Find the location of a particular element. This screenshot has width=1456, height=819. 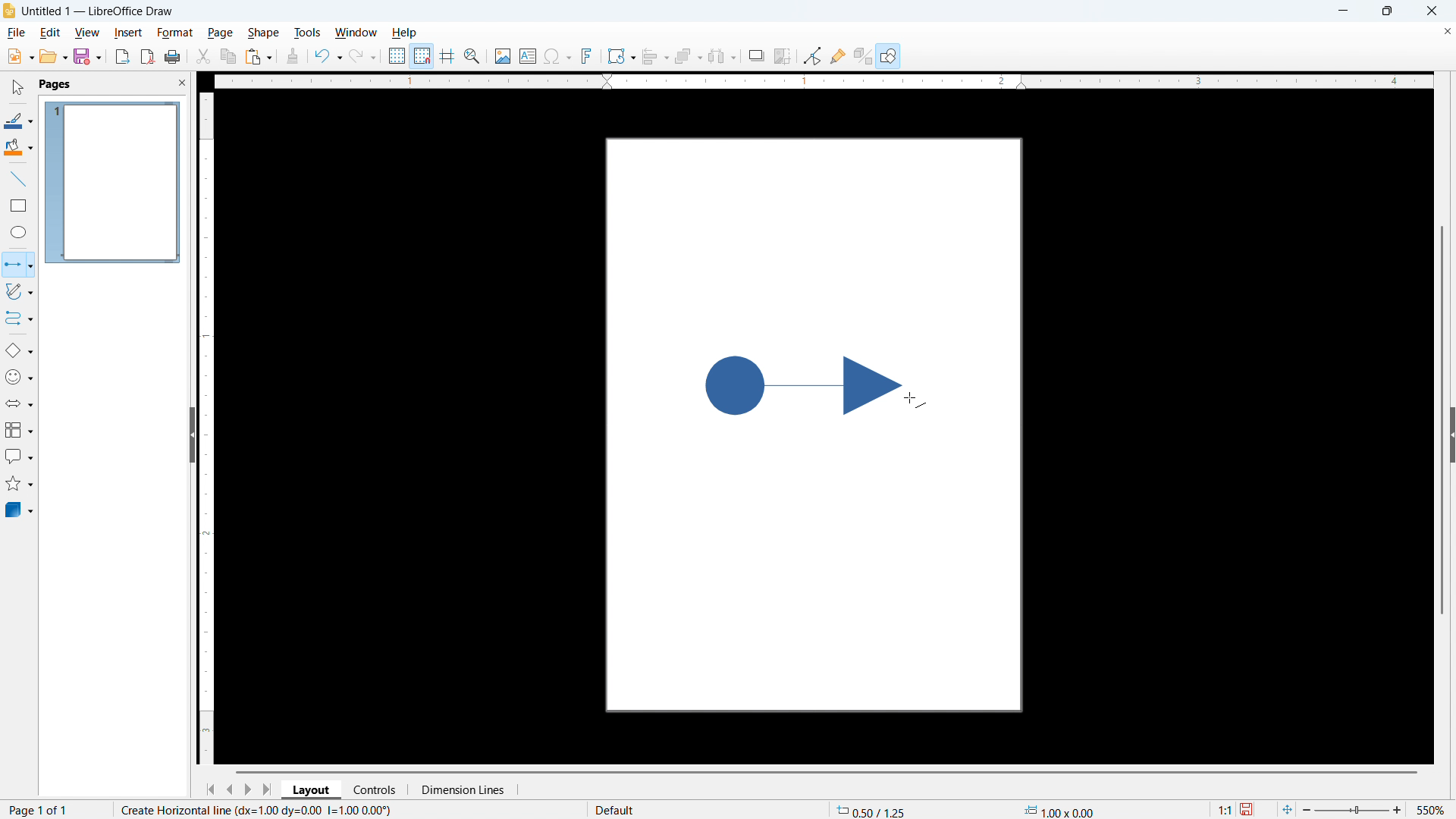

Tools  is located at coordinates (307, 33).